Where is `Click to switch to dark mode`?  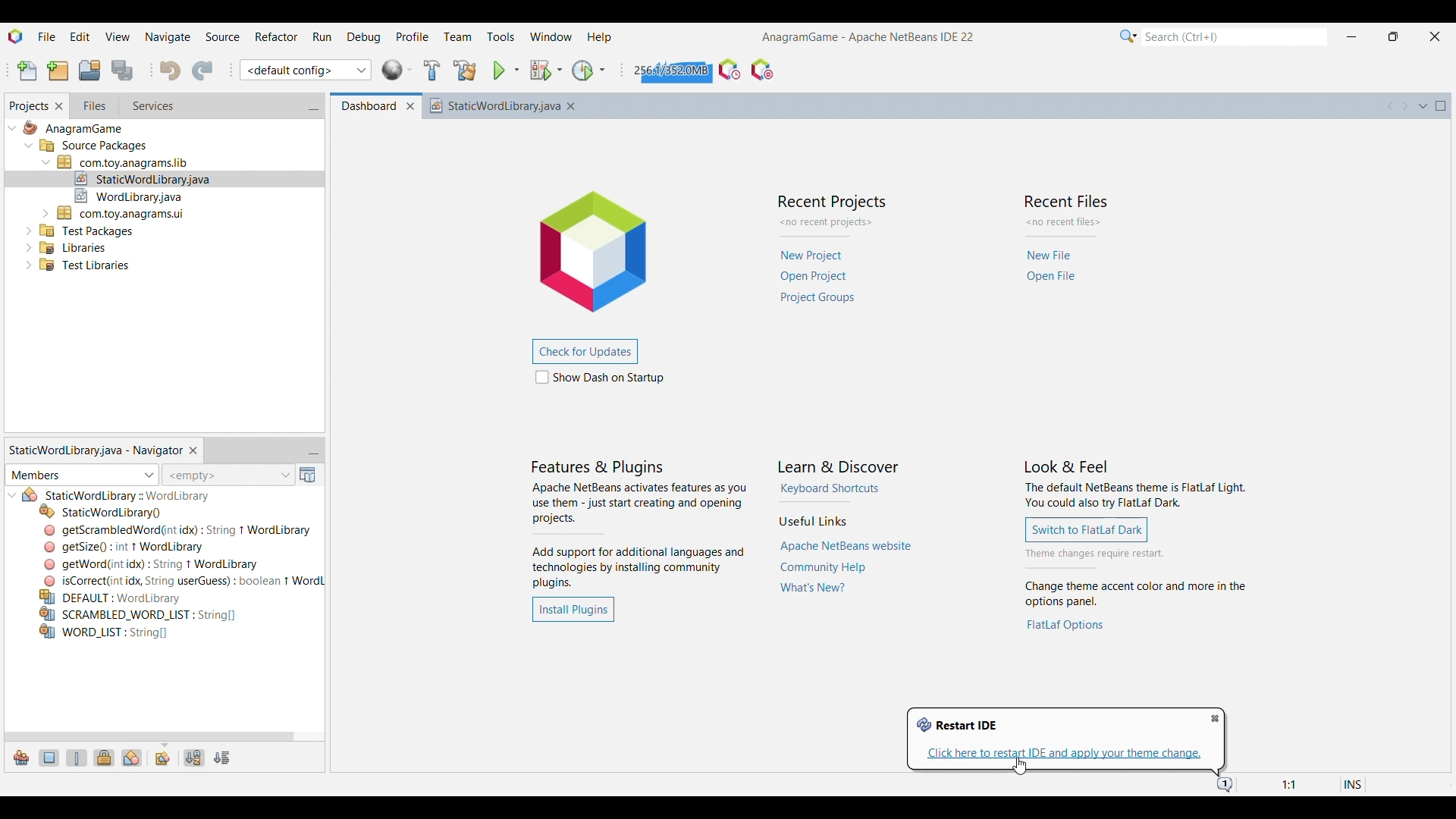
Click to switch to dark mode is located at coordinates (1087, 529).